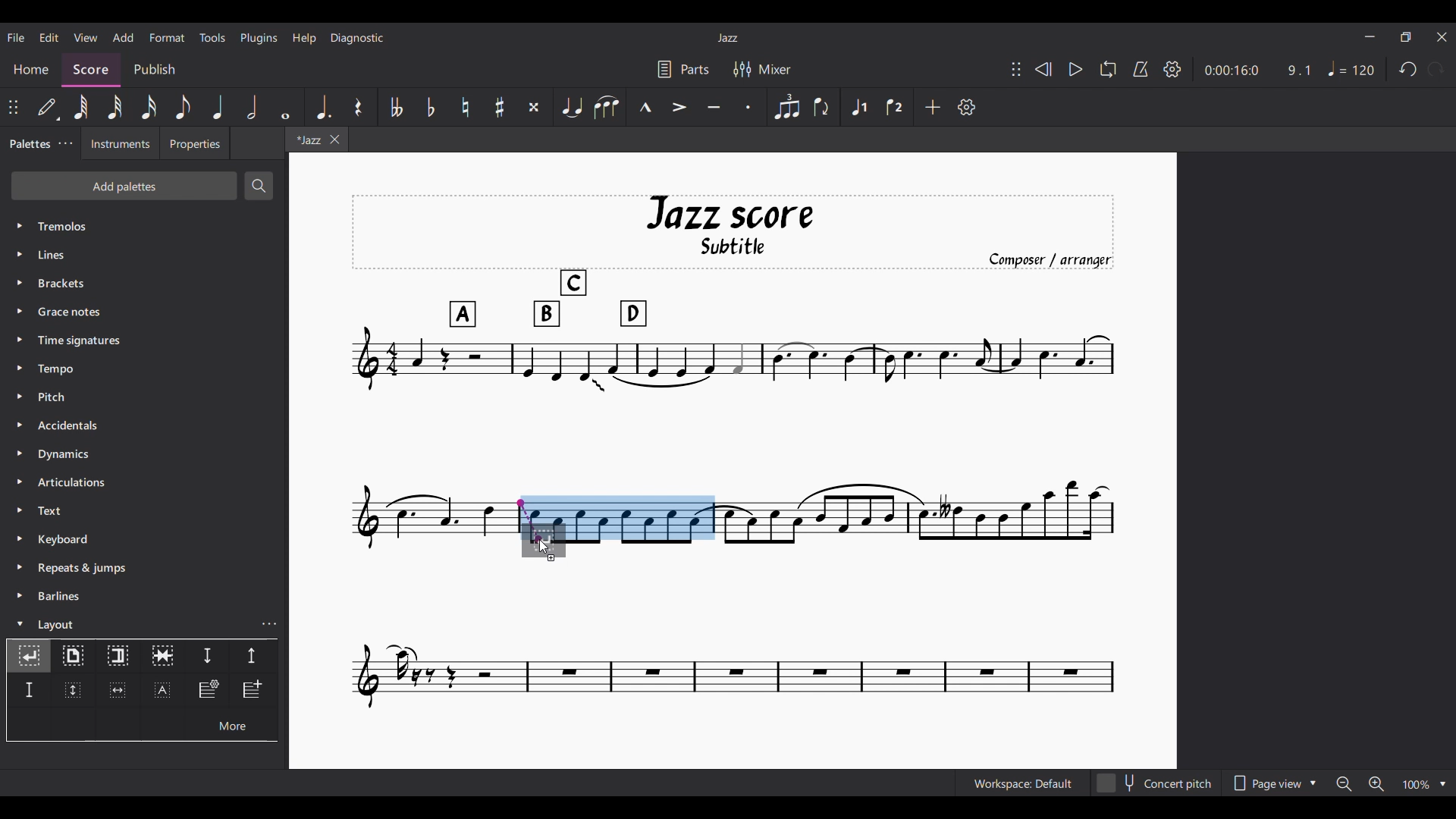 The height and width of the screenshot is (819, 1456). What do you see at coordinates (1406, 37) in the screenshot?
I see `Show in smaller tab` at bounding box center [1406, 37].